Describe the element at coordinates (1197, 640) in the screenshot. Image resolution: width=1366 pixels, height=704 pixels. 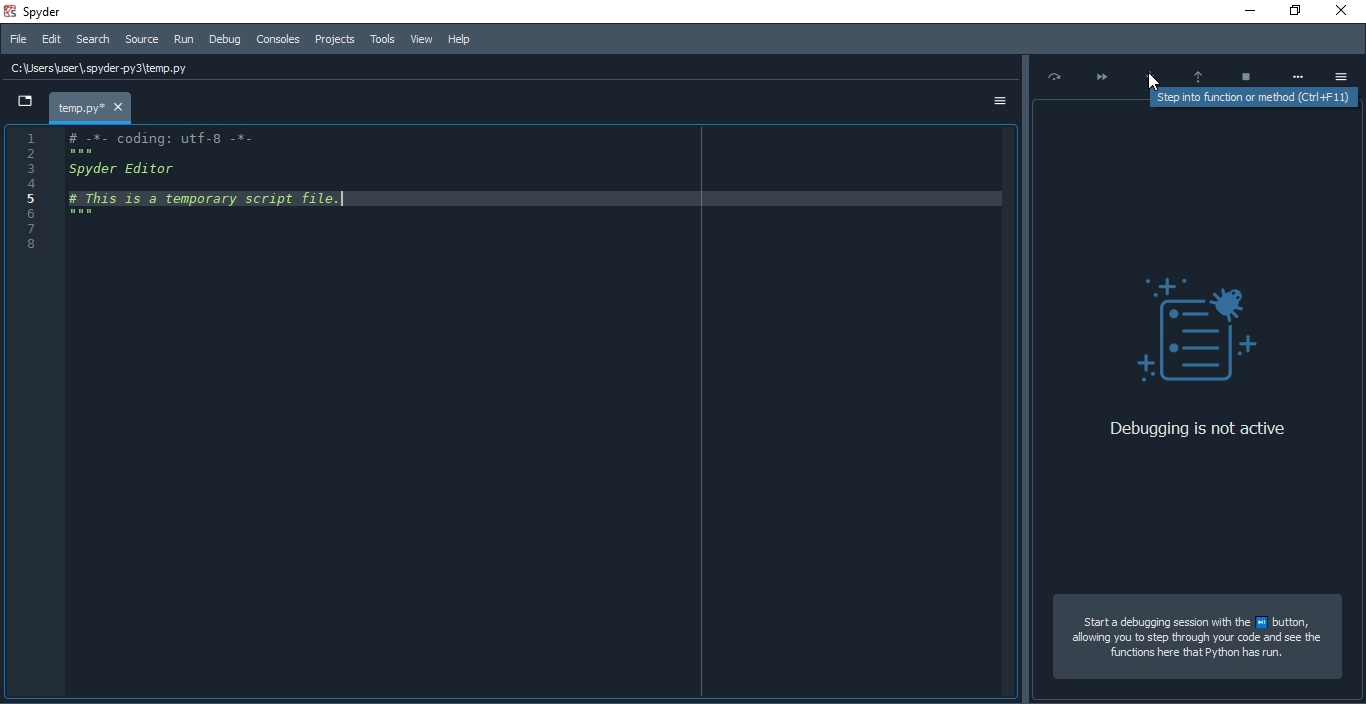
I see `Start a debugging session with the button,
allowing you to step through your code and see the
functions here that Python has run.` at that location.